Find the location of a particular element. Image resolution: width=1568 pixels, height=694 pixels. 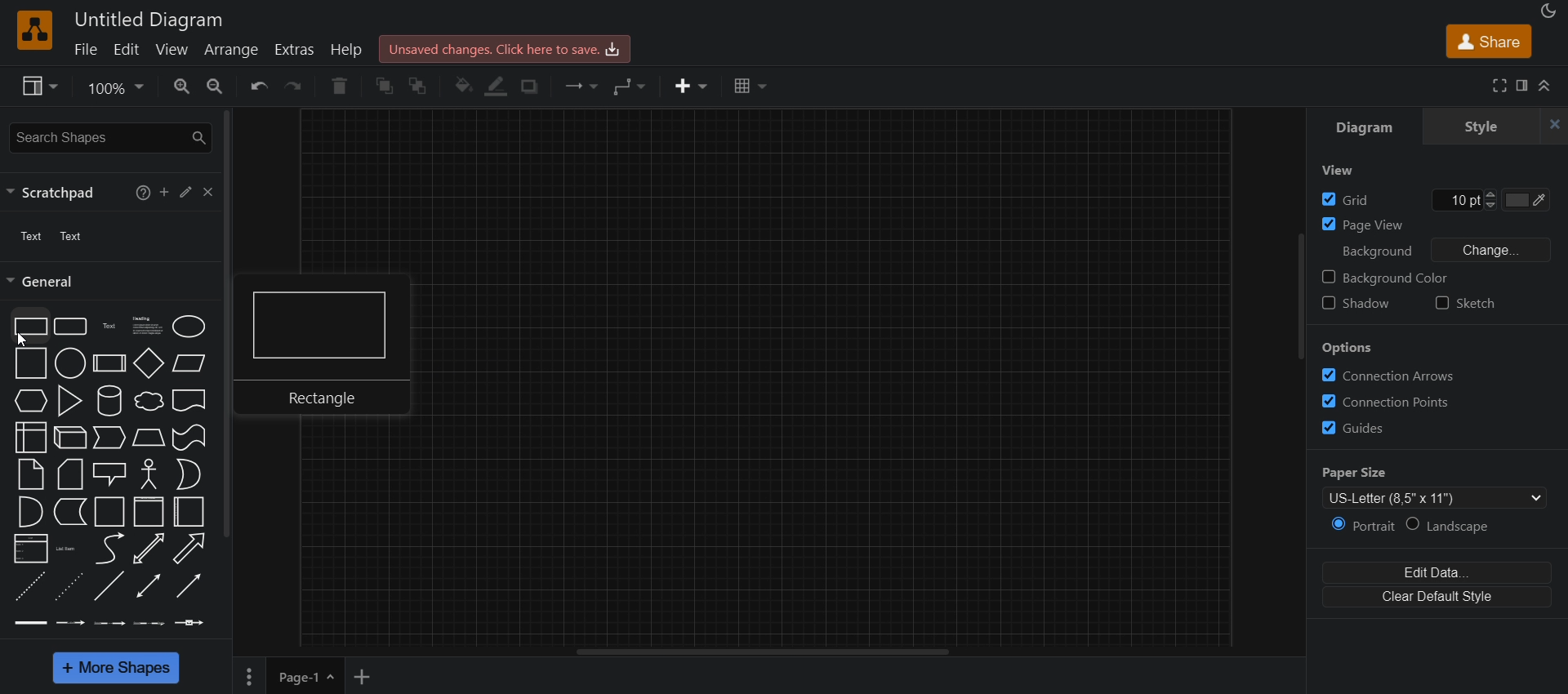

cloud is located at coordinates (149, 403).